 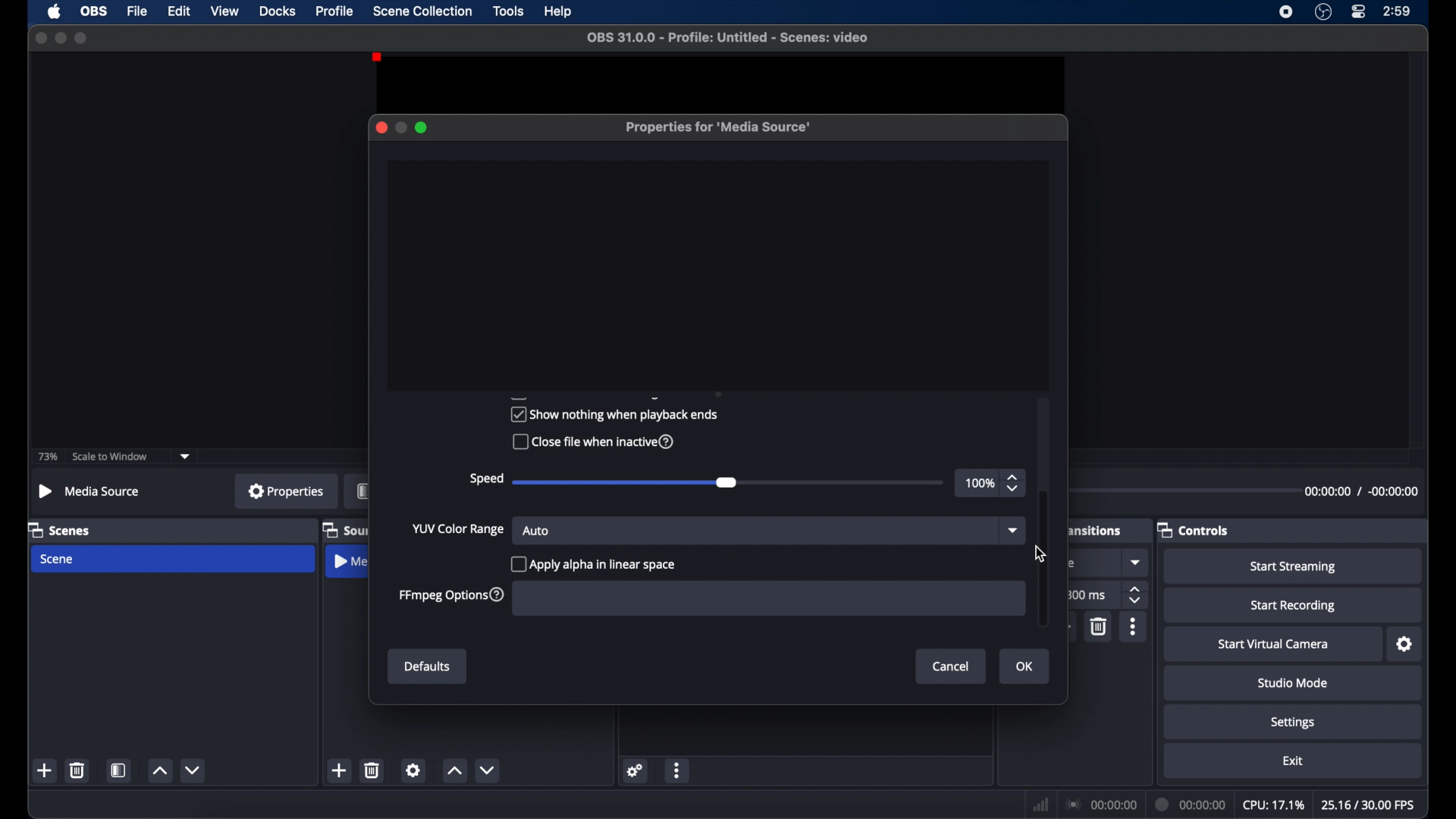 What do you see at coordinates (729, 38) in the screenshot?
I see `file name` at bounding box center [729, 38].